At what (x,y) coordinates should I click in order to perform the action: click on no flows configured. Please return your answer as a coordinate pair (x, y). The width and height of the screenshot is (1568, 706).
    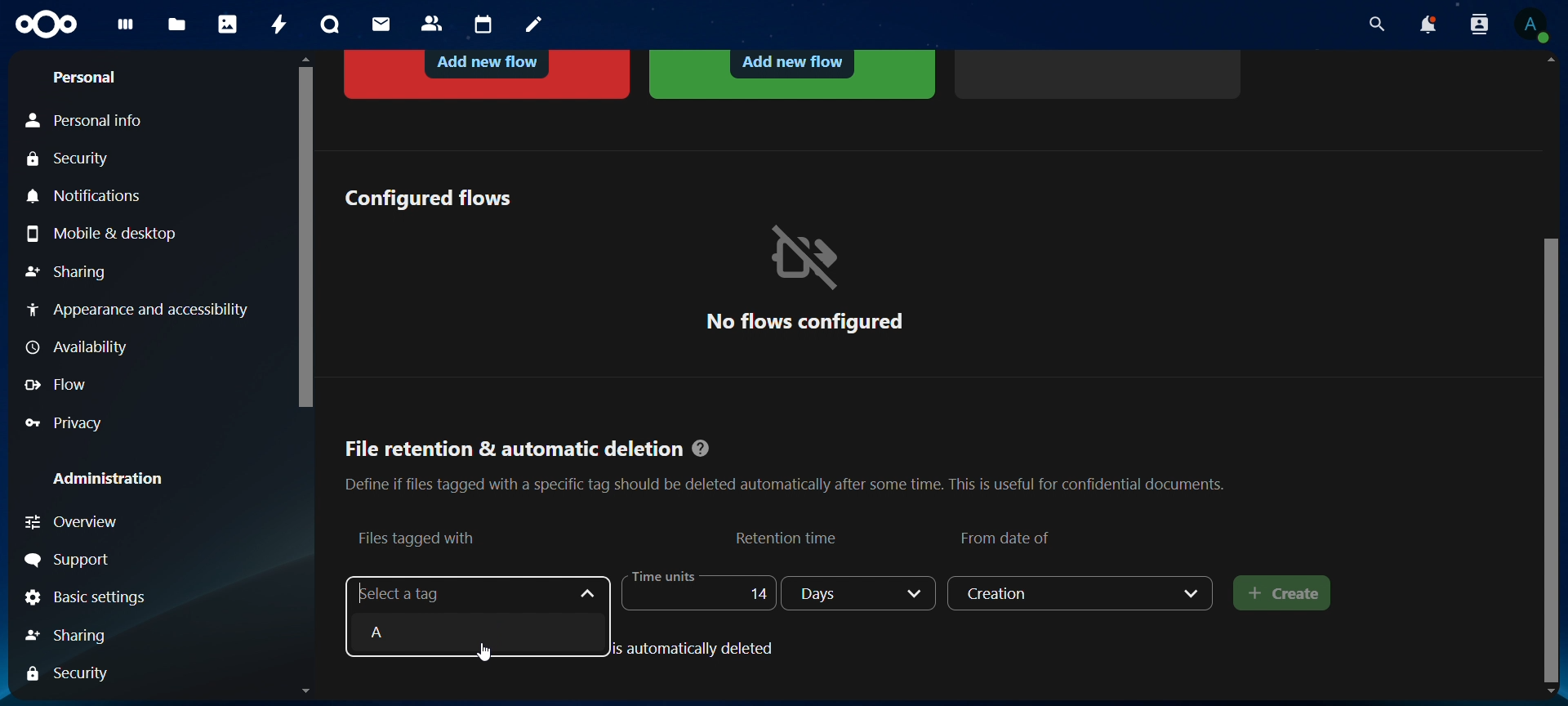
    Looking at the image, I should click on (804, 277).